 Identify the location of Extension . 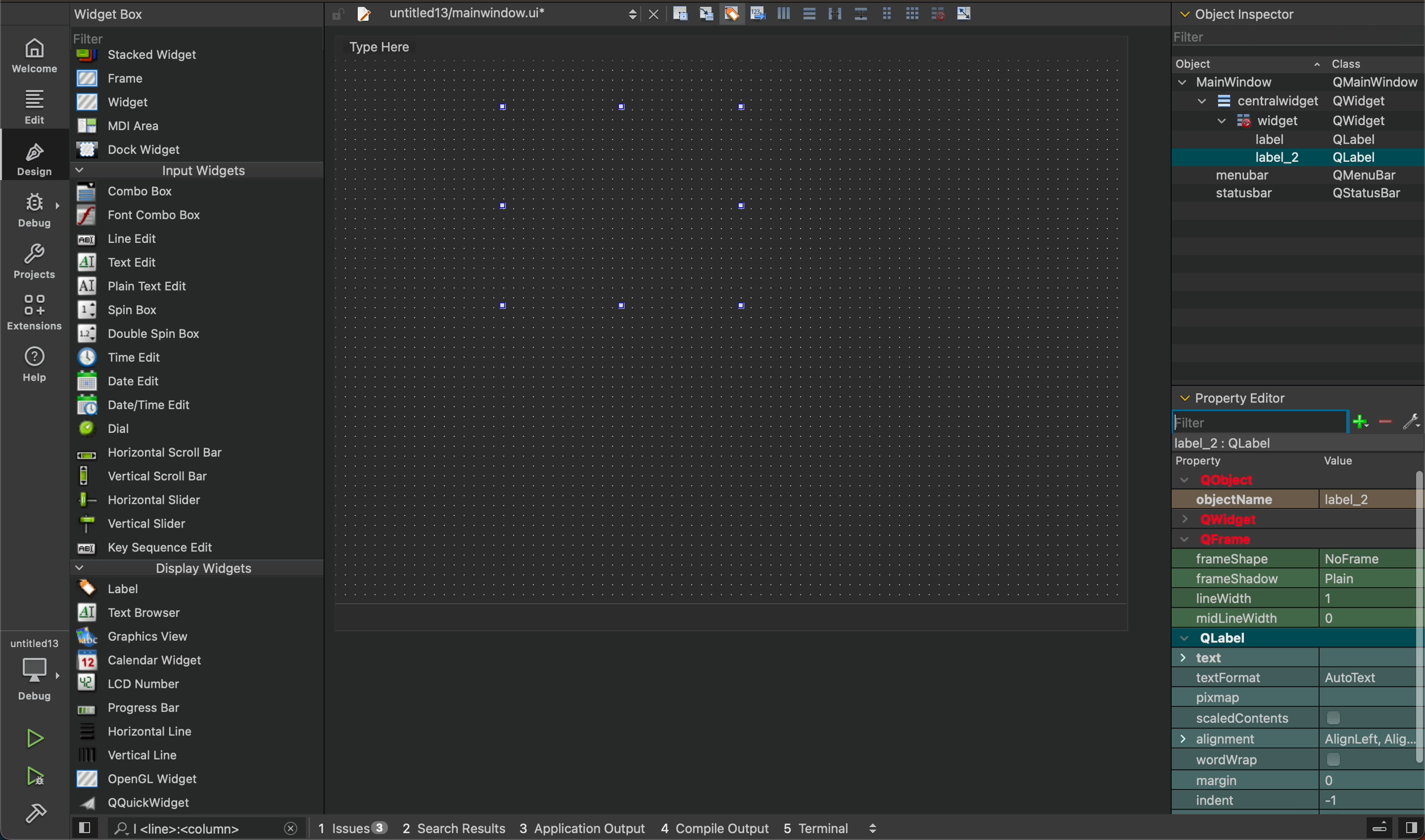
(34, 312).